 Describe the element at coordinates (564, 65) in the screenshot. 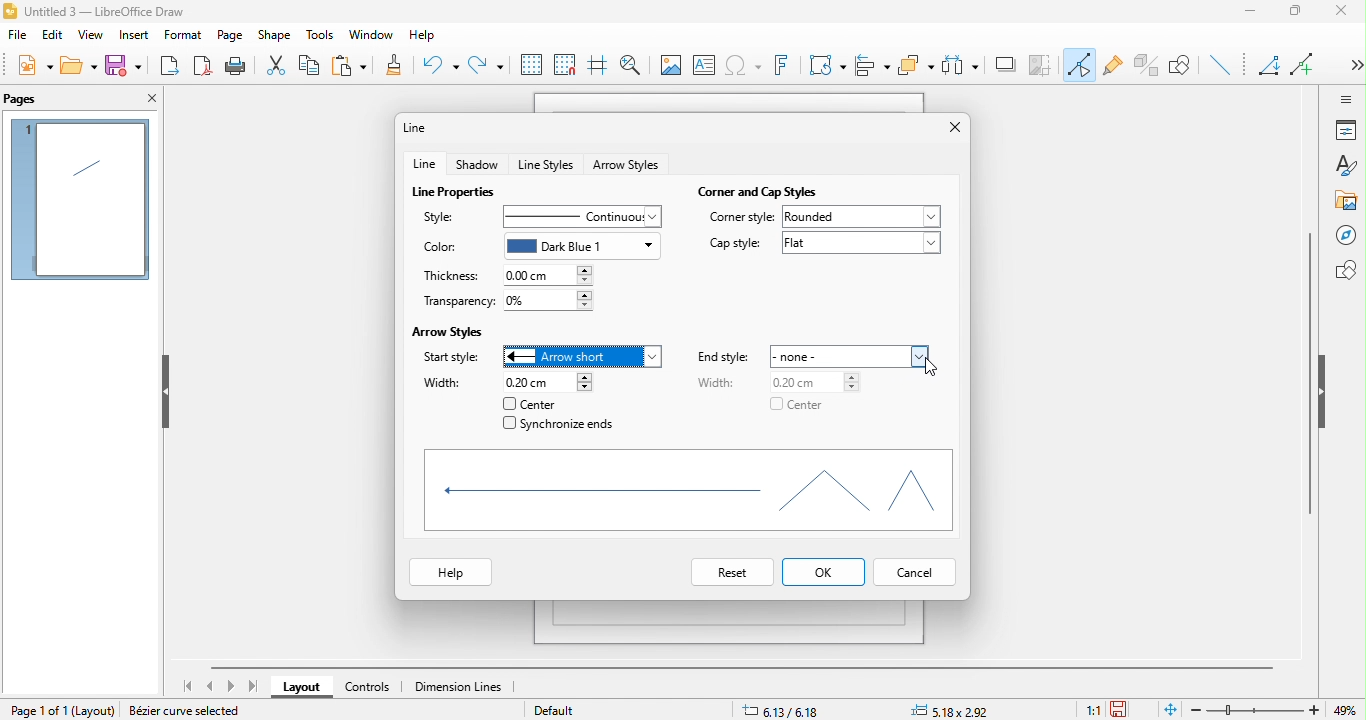

I see `snap to grid` at that location.